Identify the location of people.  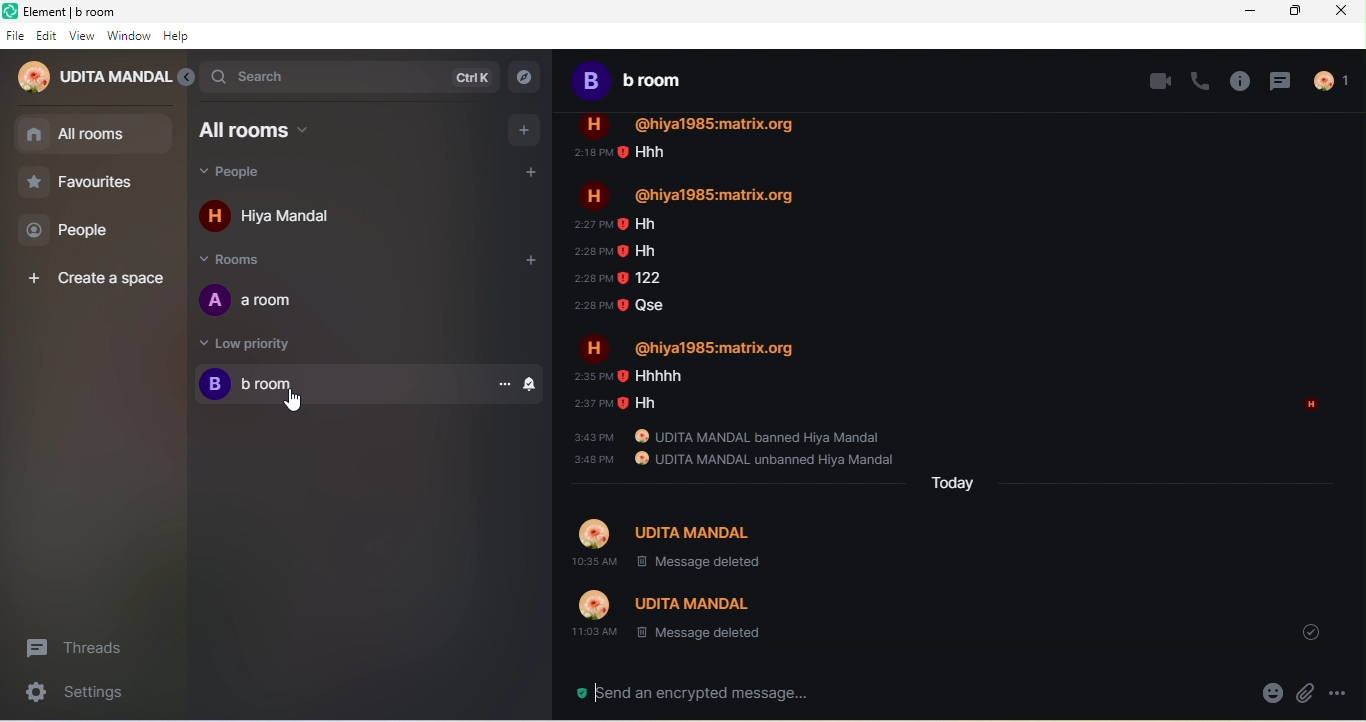
(1331, 80).